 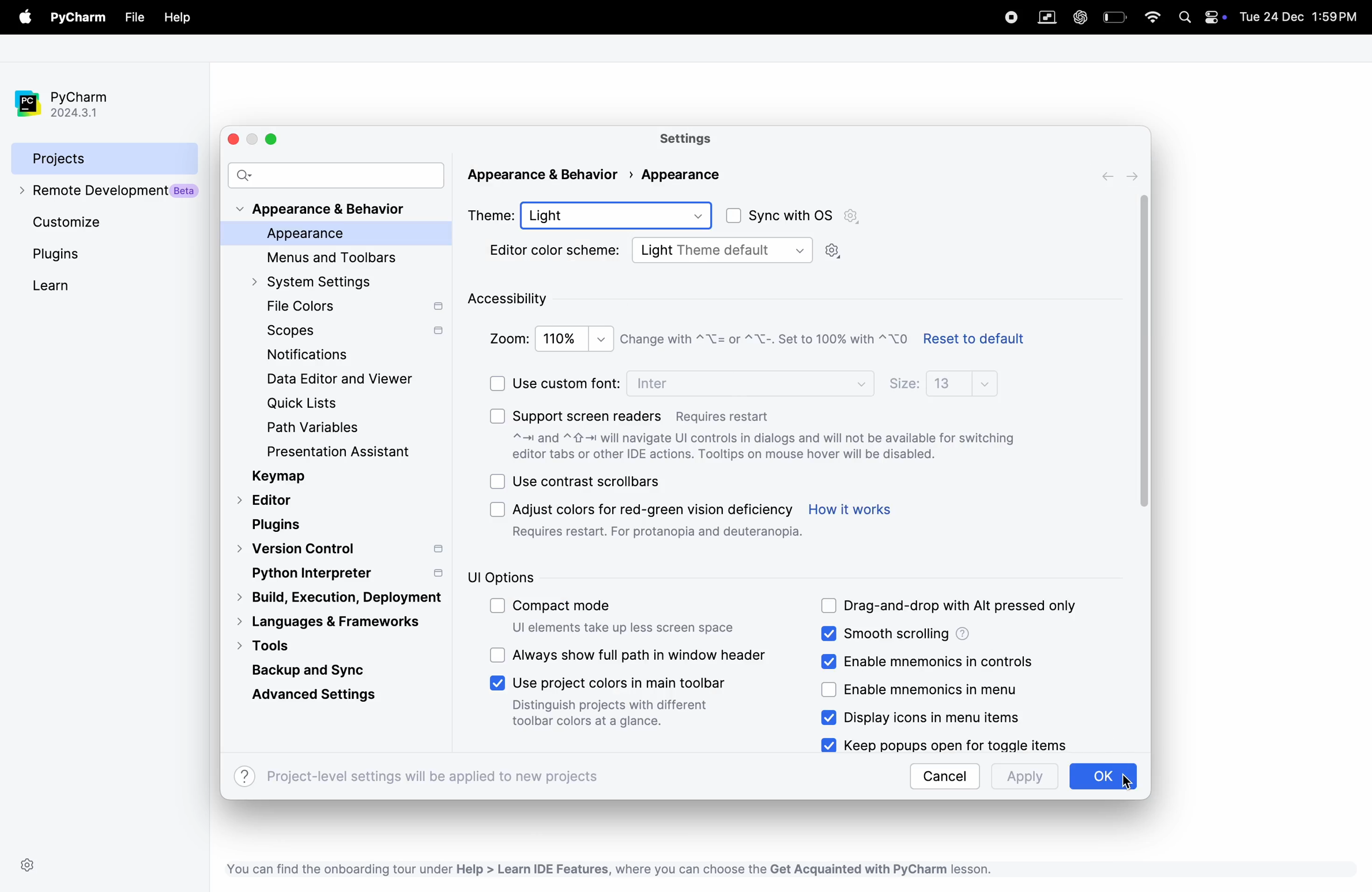 What do you see at coordinates (568, 381) in the screenshot?
I see `use custom font` at bounding box center [568, 381].